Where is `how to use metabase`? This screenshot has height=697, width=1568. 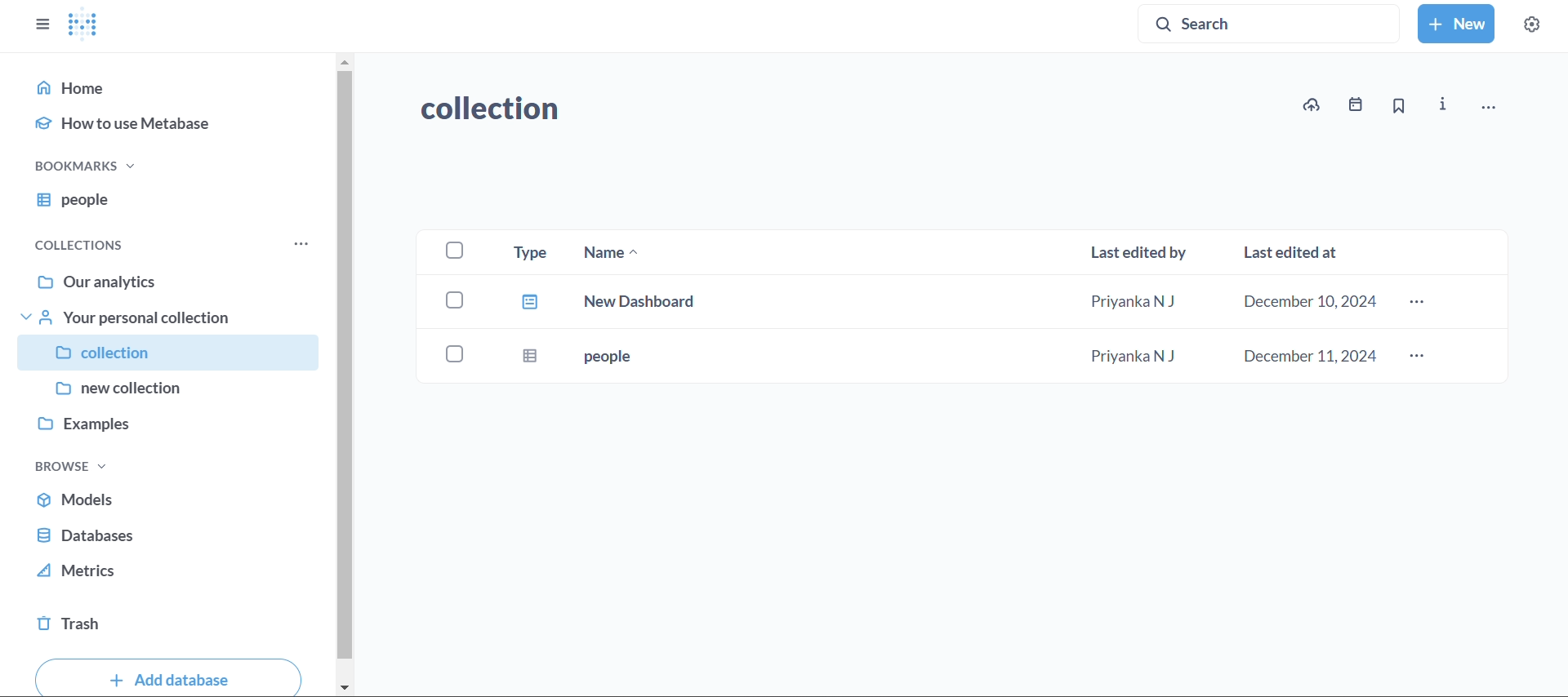 how to use metabase is located at coordinates (168, 122).